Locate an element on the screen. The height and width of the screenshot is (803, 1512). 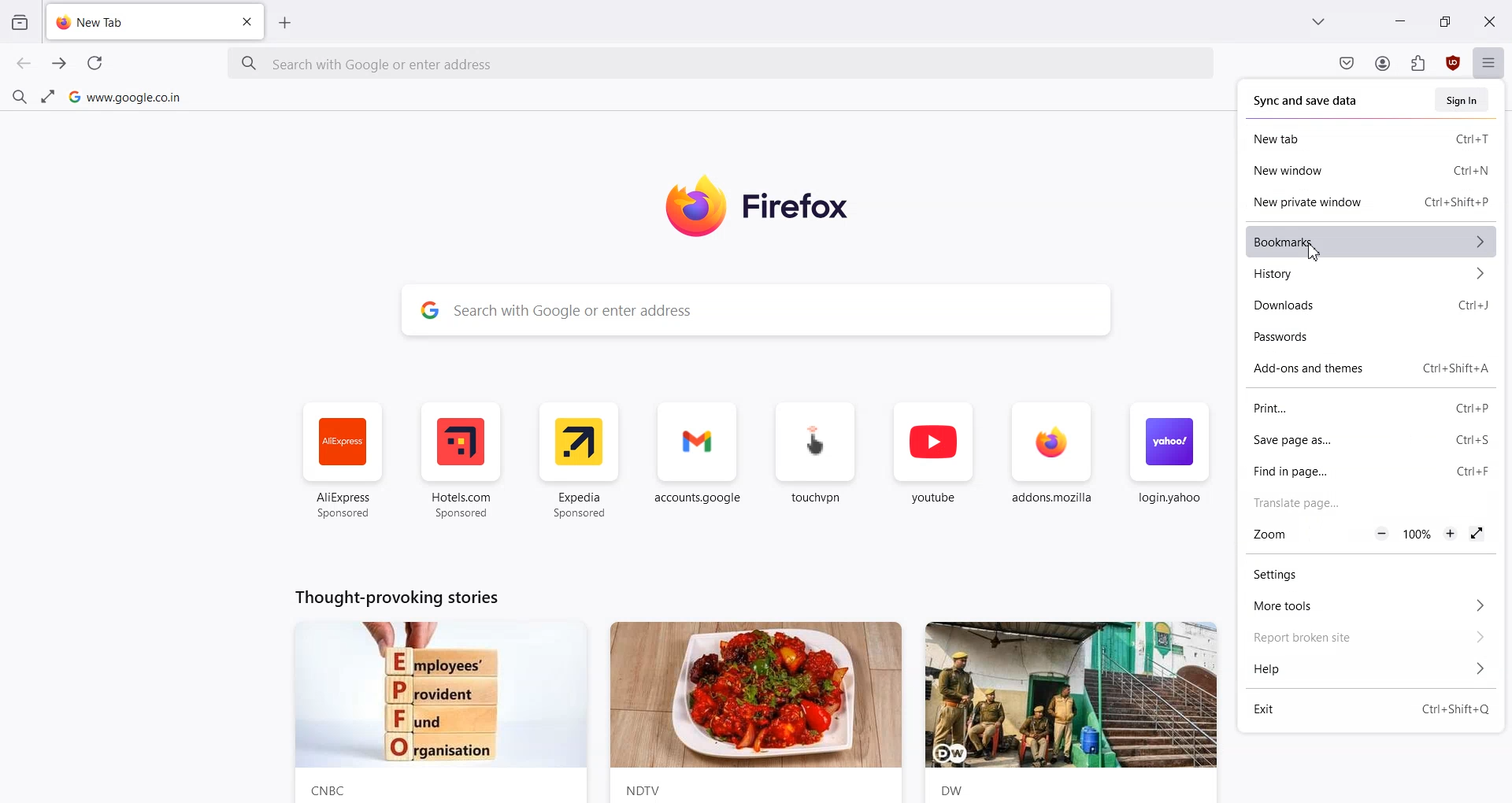
Zoom  is located at coordinates (1277, 535).